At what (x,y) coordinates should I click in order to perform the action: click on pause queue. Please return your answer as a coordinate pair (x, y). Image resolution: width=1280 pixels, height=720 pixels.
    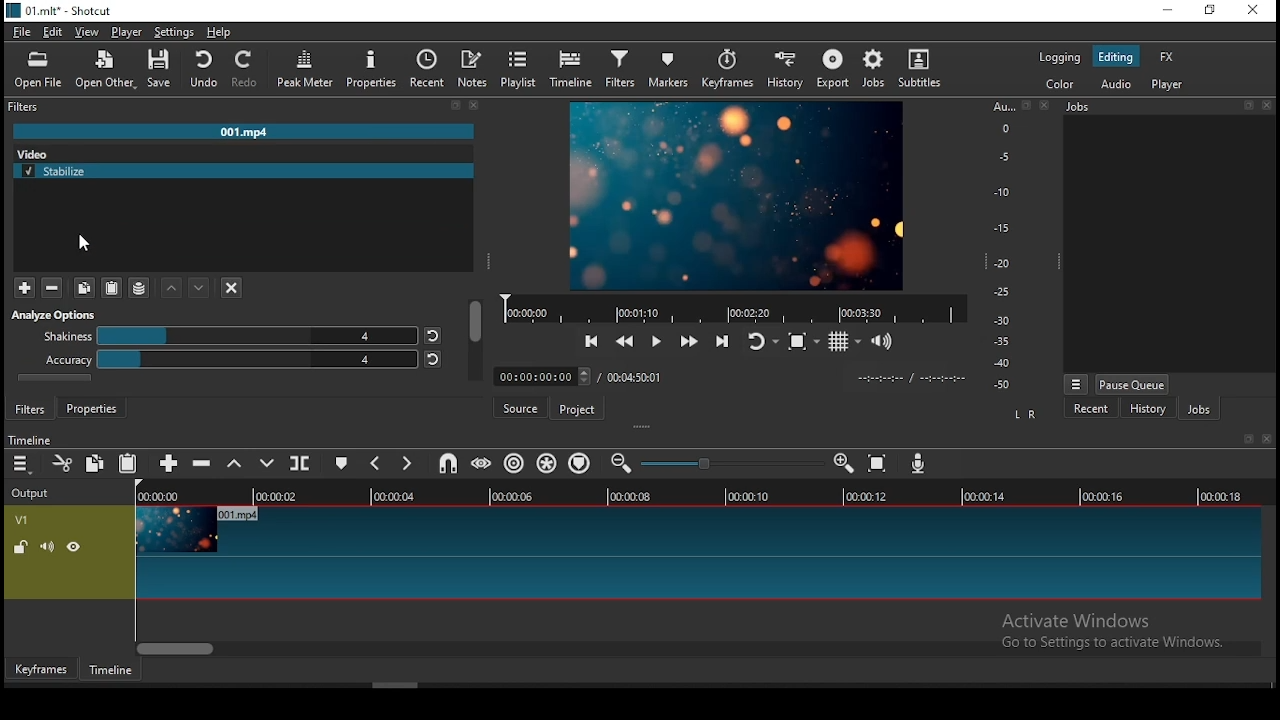
    Looking at the image, I should click on (1133, 384).